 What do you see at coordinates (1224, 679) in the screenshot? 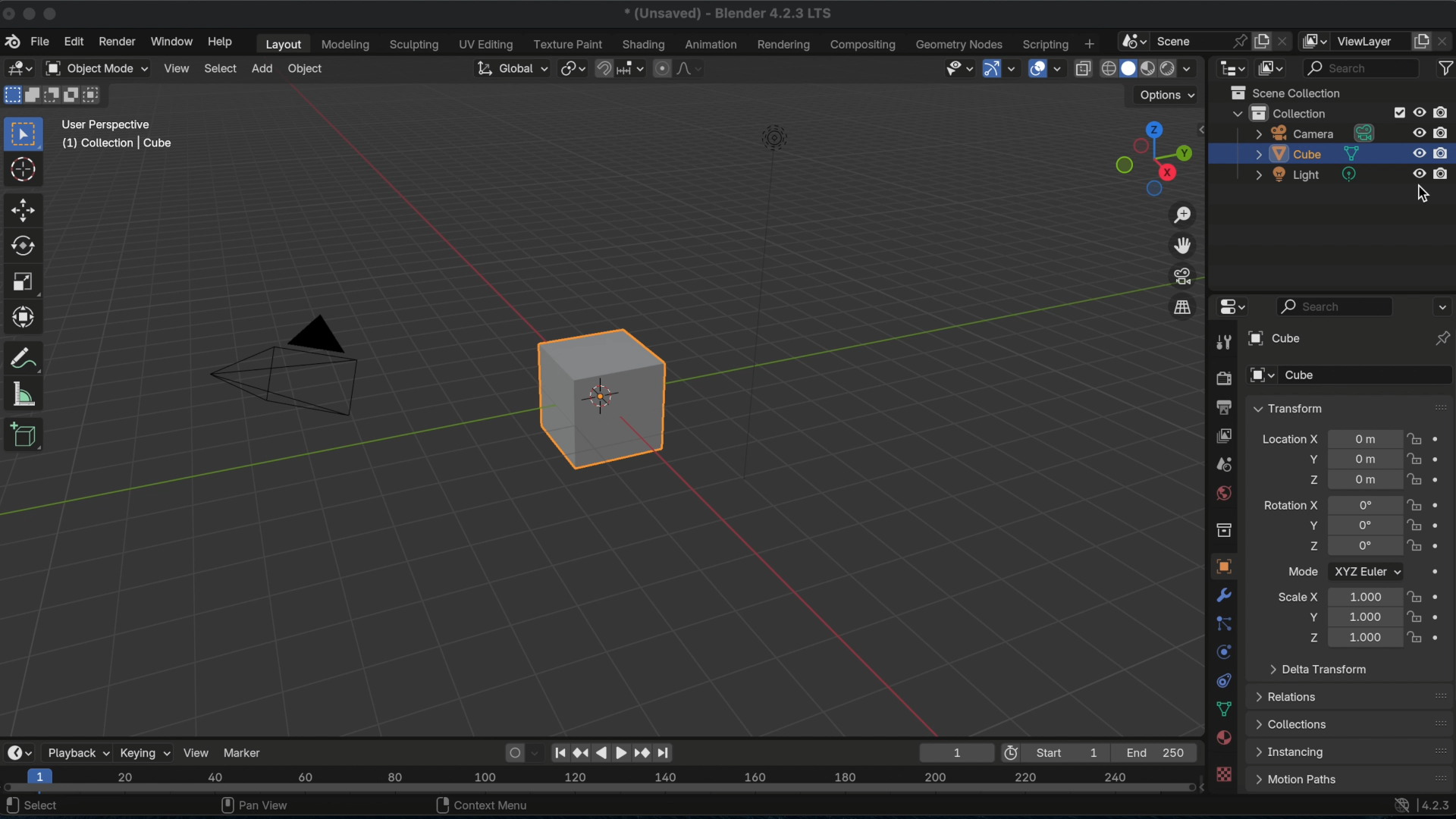
I see `constraints` at bounding box center [1224, 679].